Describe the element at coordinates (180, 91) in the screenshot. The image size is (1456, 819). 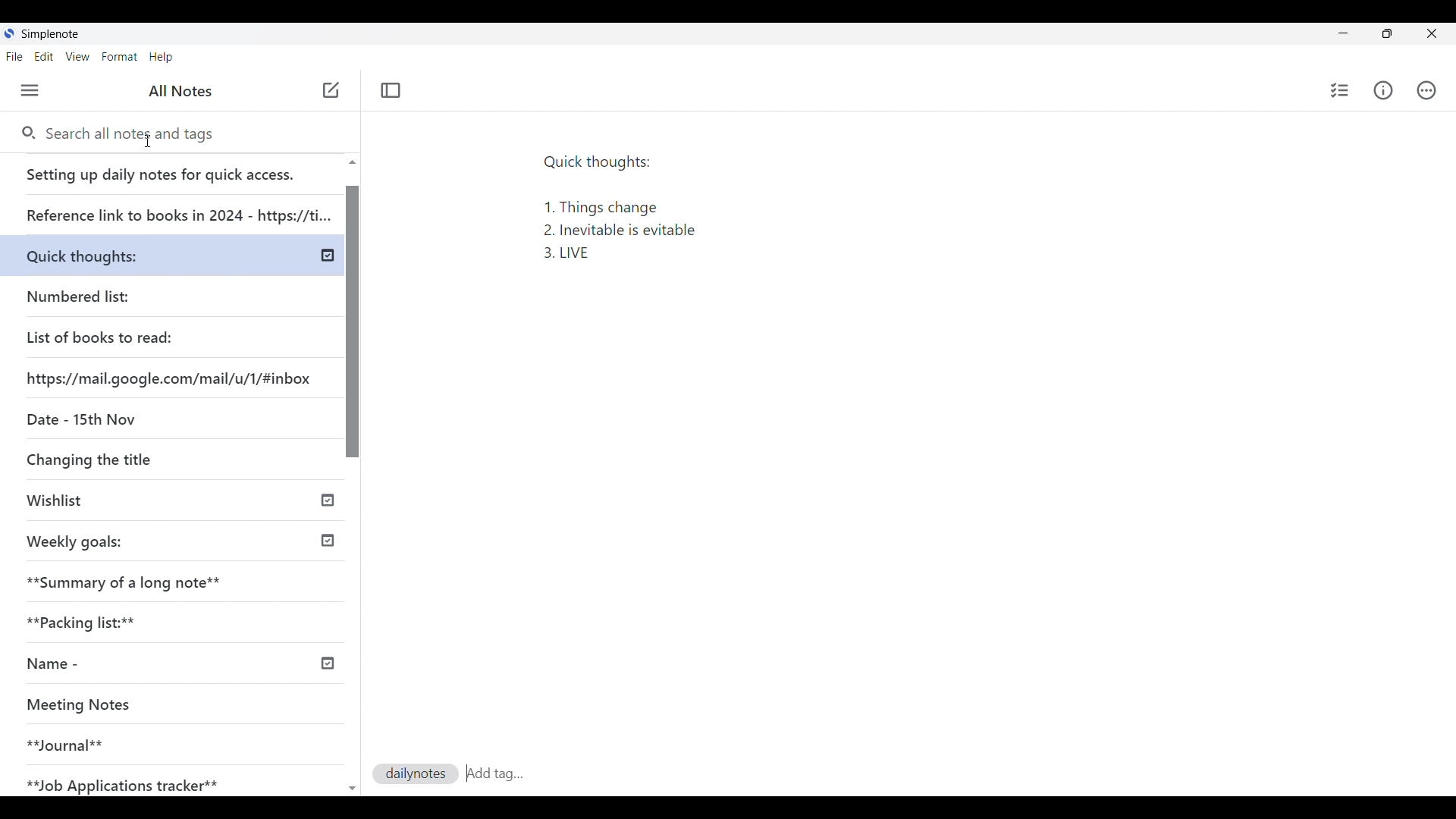
I see `All notes` at that location.